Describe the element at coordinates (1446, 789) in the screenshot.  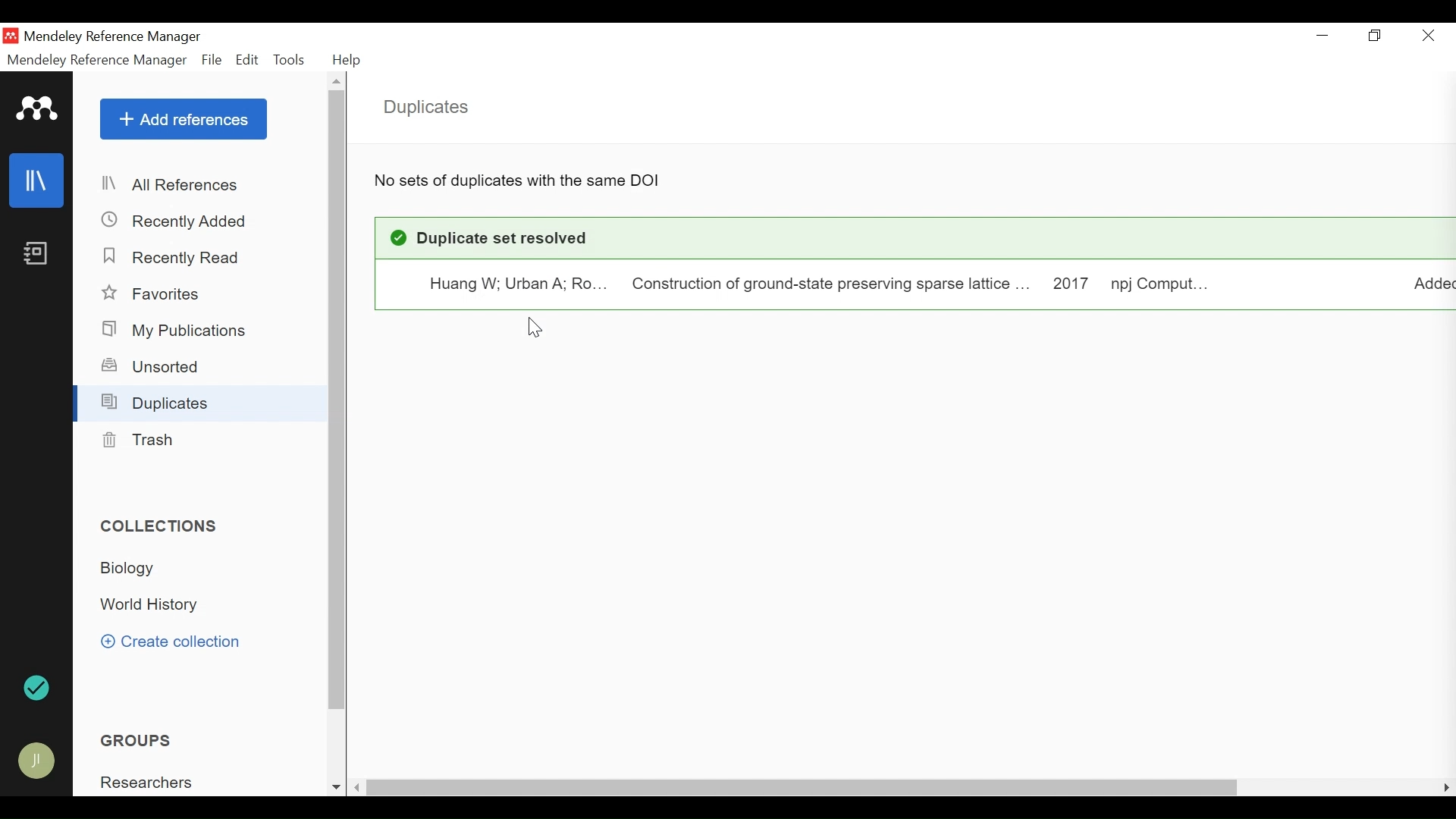
I see `Scroll Right` at that location.